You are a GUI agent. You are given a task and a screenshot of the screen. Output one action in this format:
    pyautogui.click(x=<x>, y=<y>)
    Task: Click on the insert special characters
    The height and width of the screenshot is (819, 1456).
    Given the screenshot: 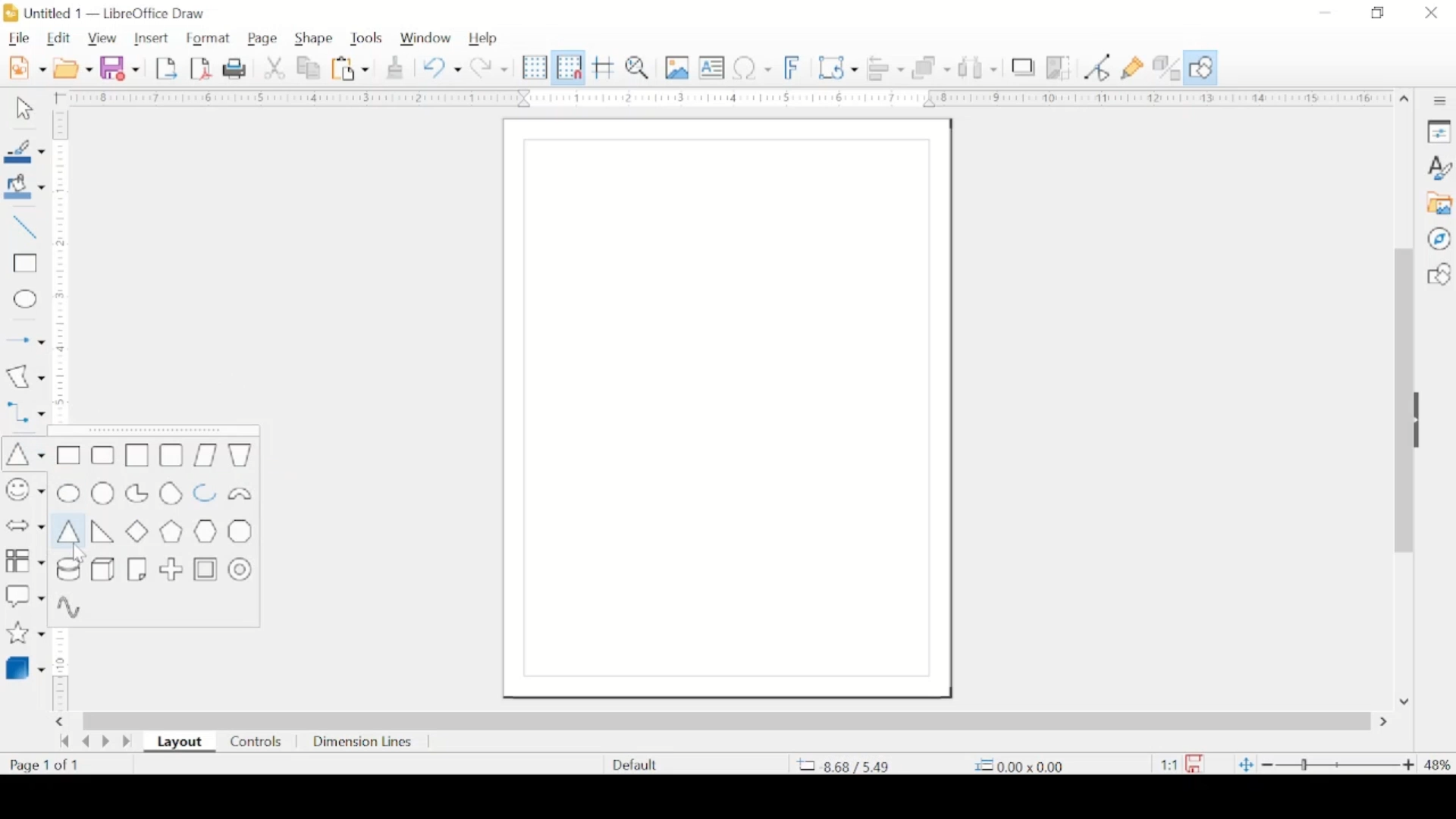 What is the action you would take?
    pyautogui.click(x=752, y=67)
    